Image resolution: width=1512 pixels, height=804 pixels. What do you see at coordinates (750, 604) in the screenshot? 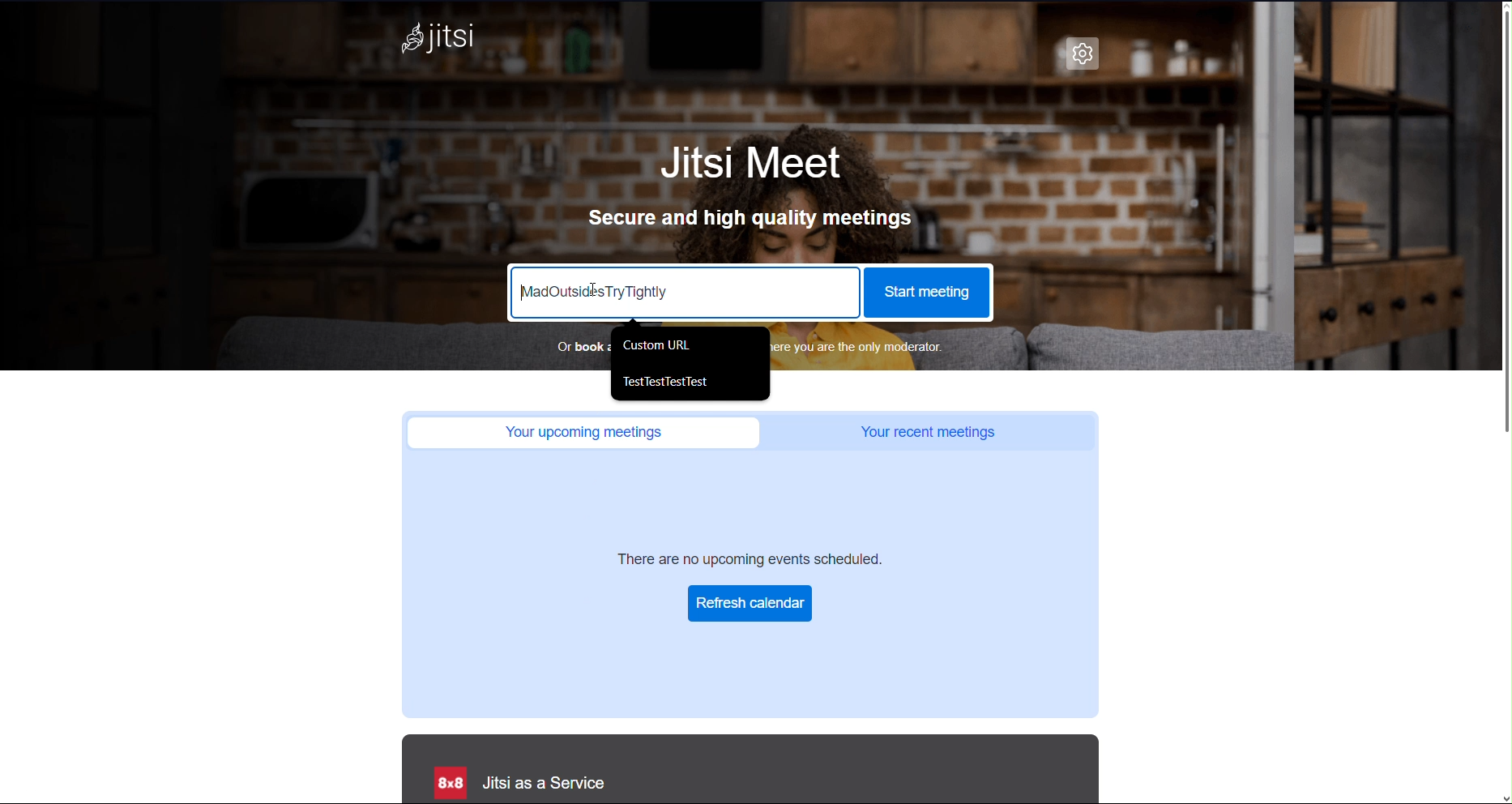
I see `Refresh` at bounding box center [750, 604].